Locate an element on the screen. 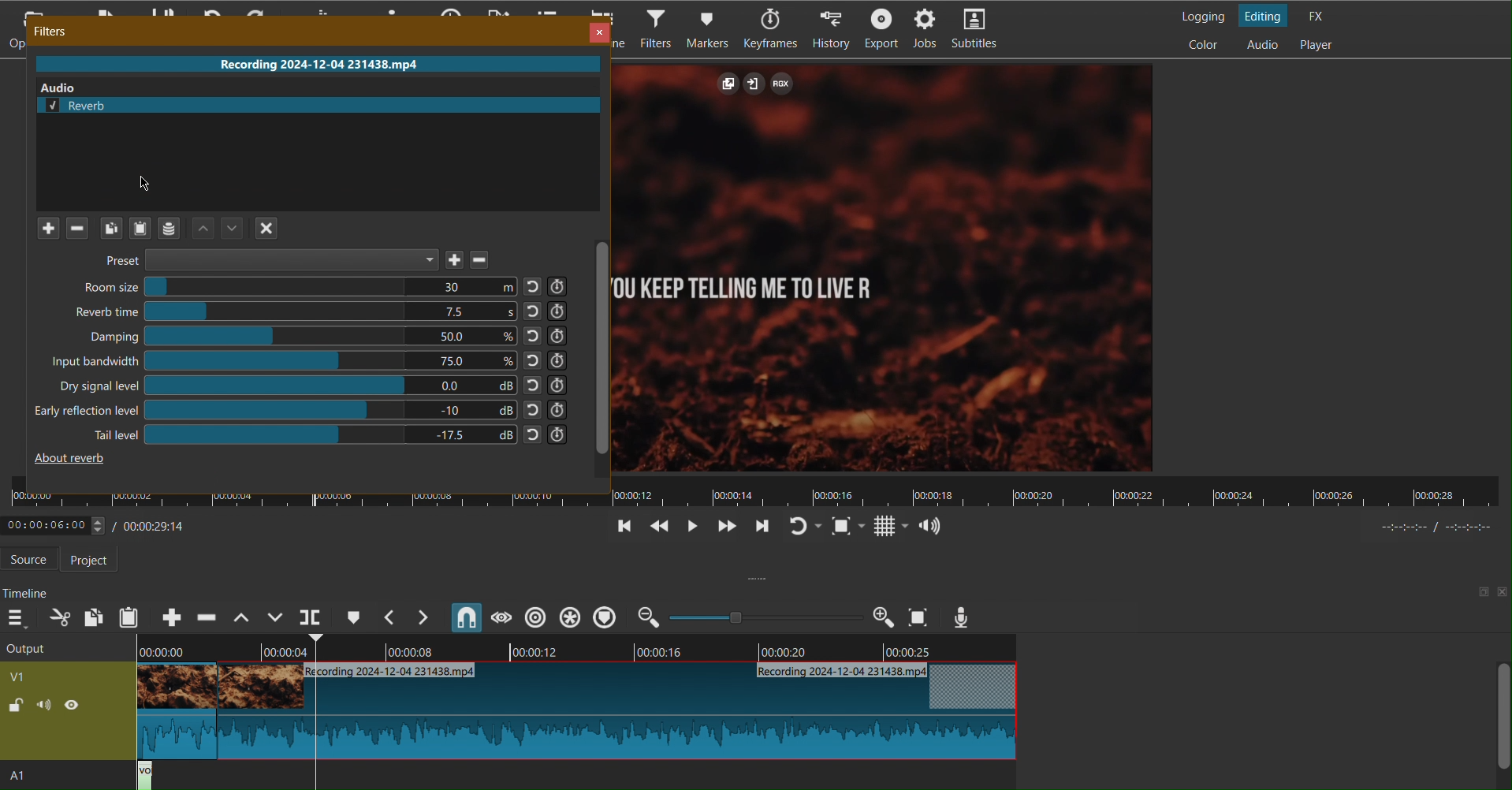 The width and height of the screenshot is (1512, 790). Room Size is located at coordinates (325, 287).